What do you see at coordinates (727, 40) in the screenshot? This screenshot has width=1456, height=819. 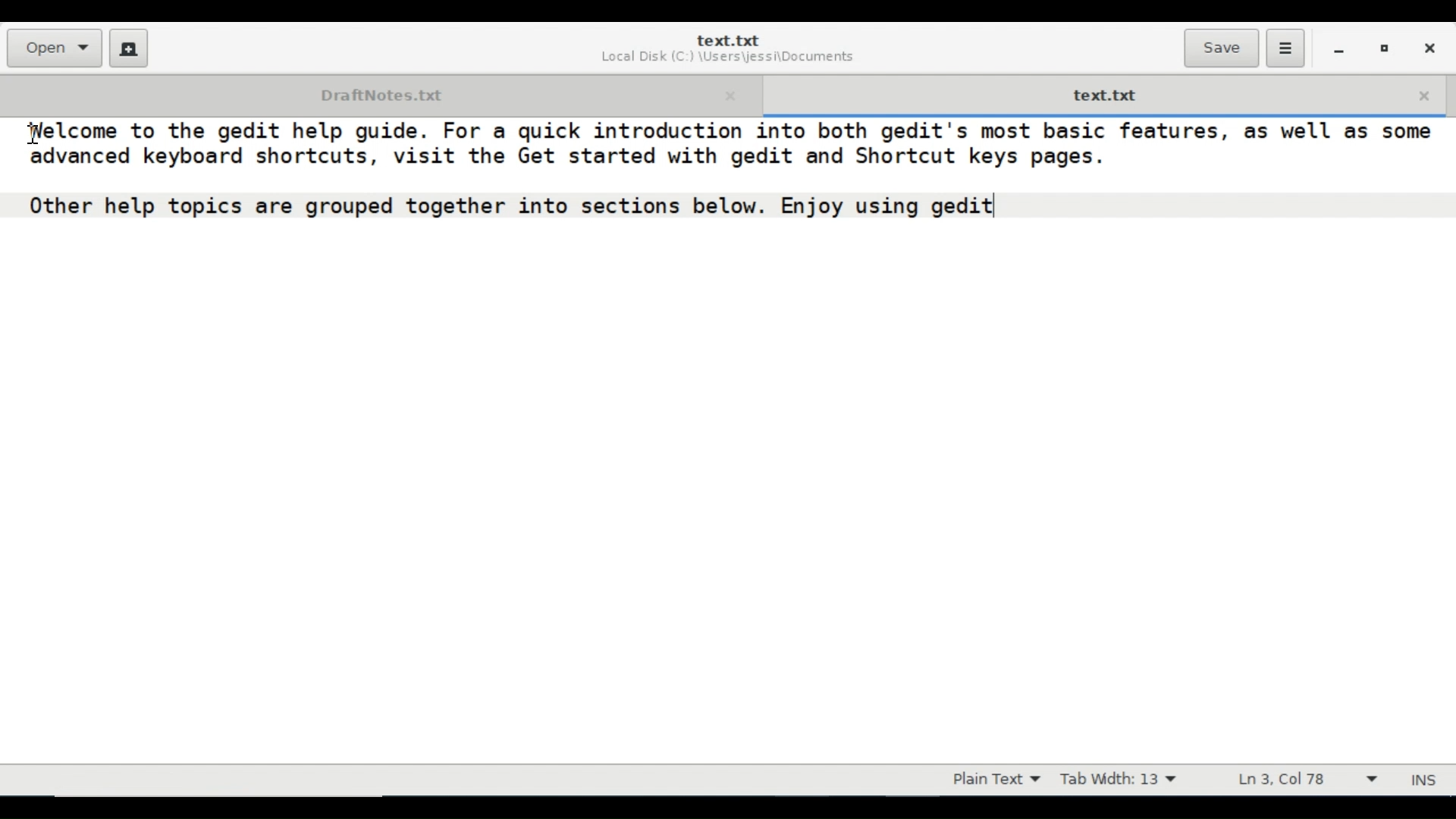 I see `Document Name` at bounding box center [727, 40].